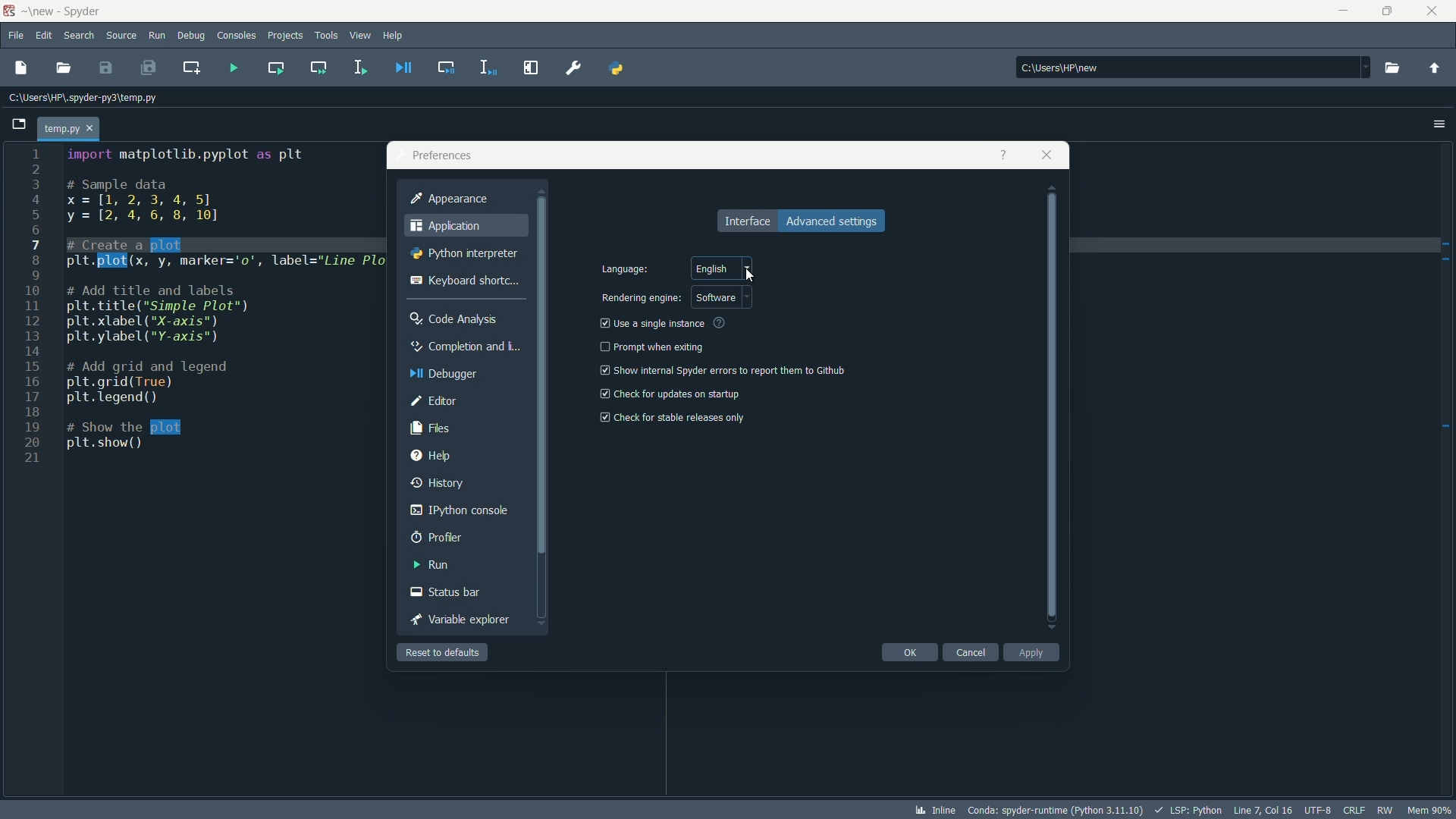 This screenshot has width=1456, height=819. I want to click on maximize, so click(1389, 11).